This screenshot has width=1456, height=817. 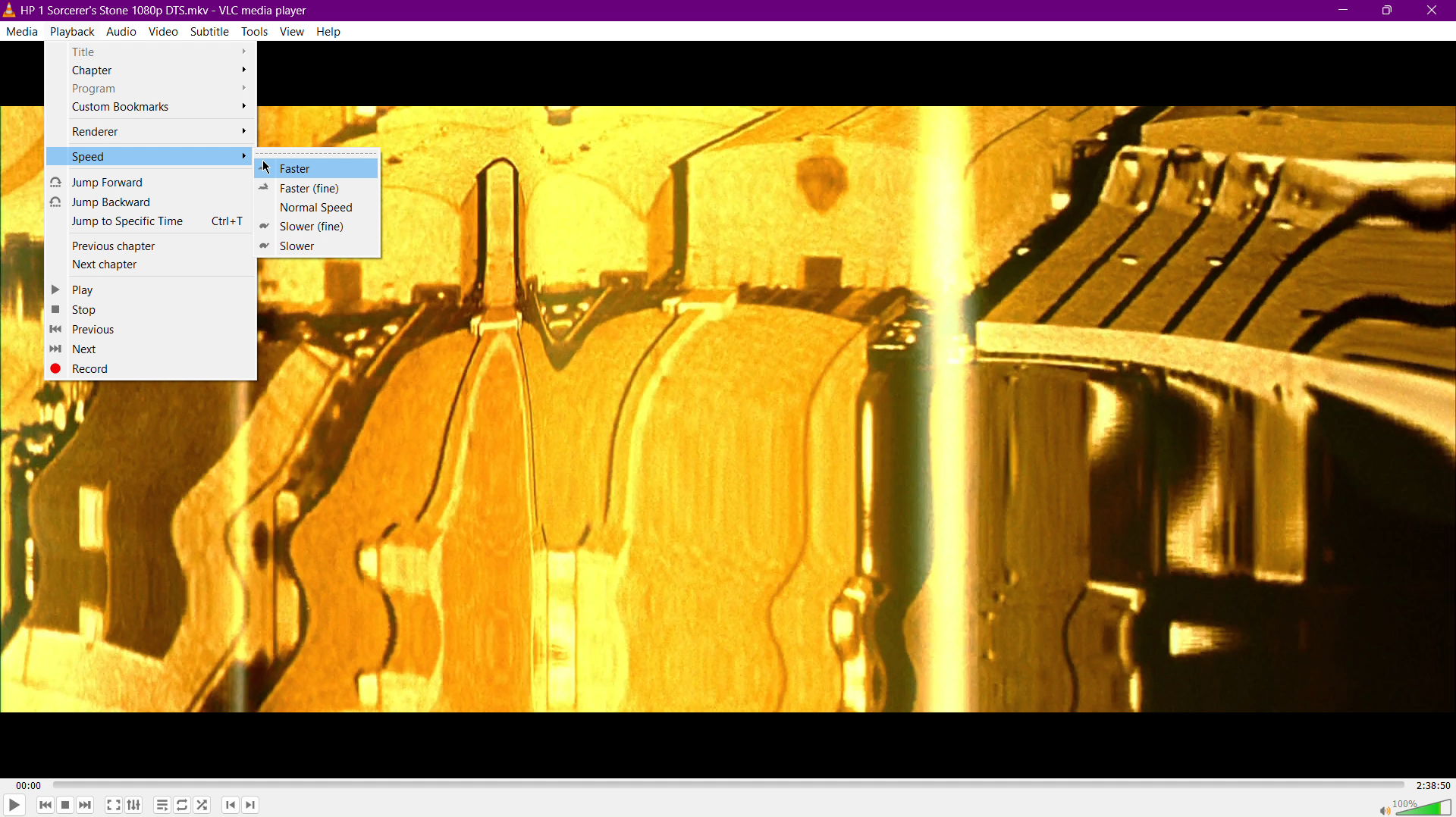 What do you see at coordinates (152, 265) in the screenshot?
I see `Next Chapter` at bounding box center [152, 265].